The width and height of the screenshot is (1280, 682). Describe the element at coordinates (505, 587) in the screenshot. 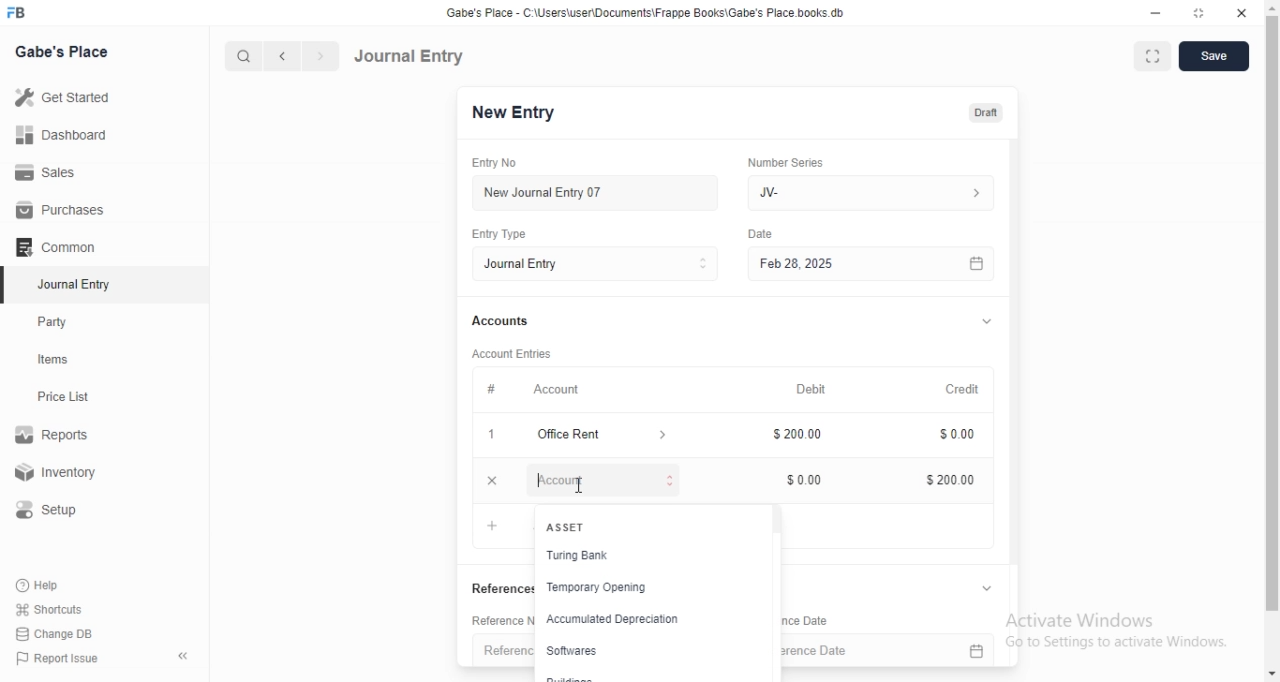

I see `‘References` at that location.